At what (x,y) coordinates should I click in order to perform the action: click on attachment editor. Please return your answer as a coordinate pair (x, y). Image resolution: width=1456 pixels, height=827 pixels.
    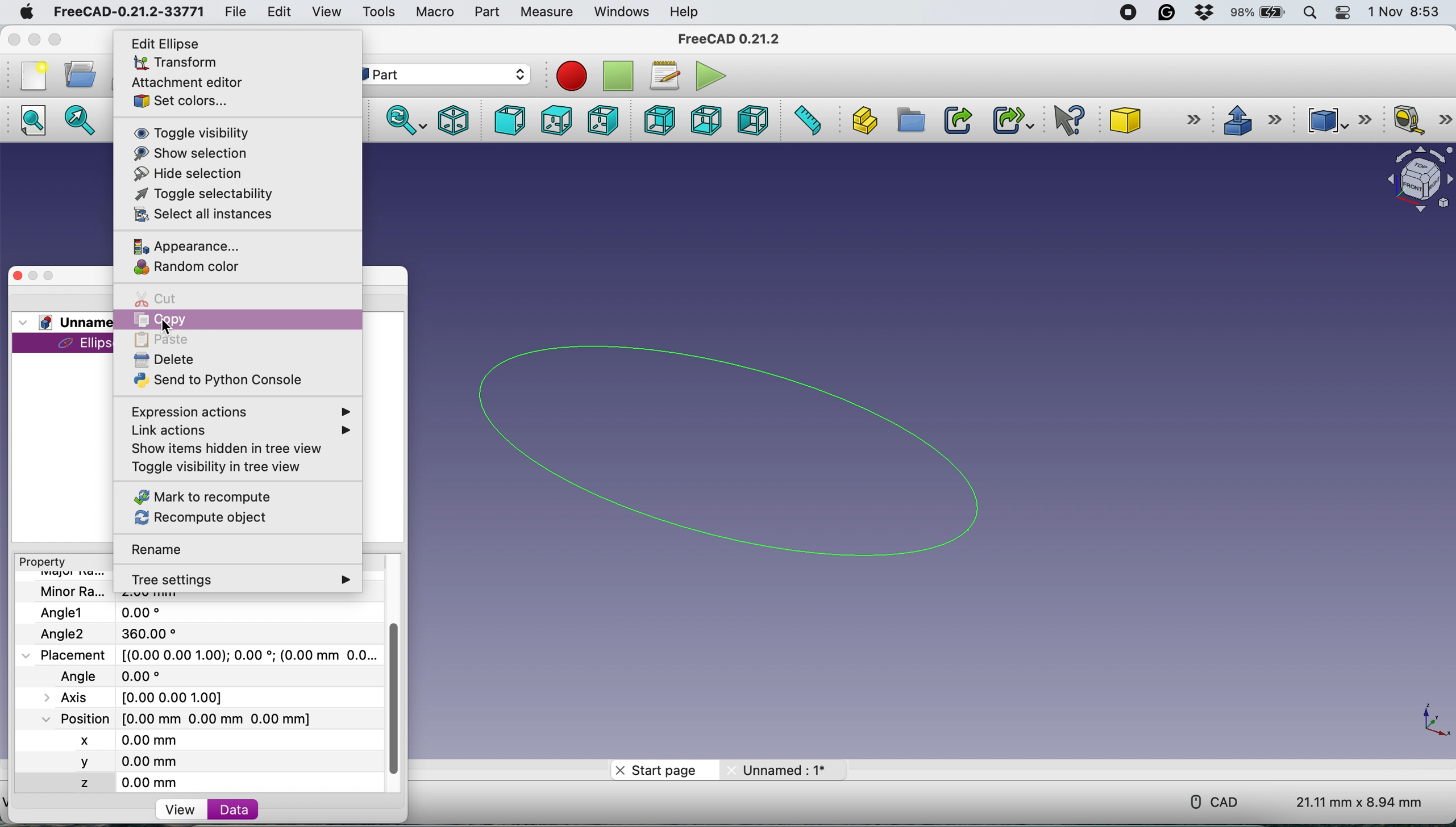
    Looking at the image, I should click on (189, 81).